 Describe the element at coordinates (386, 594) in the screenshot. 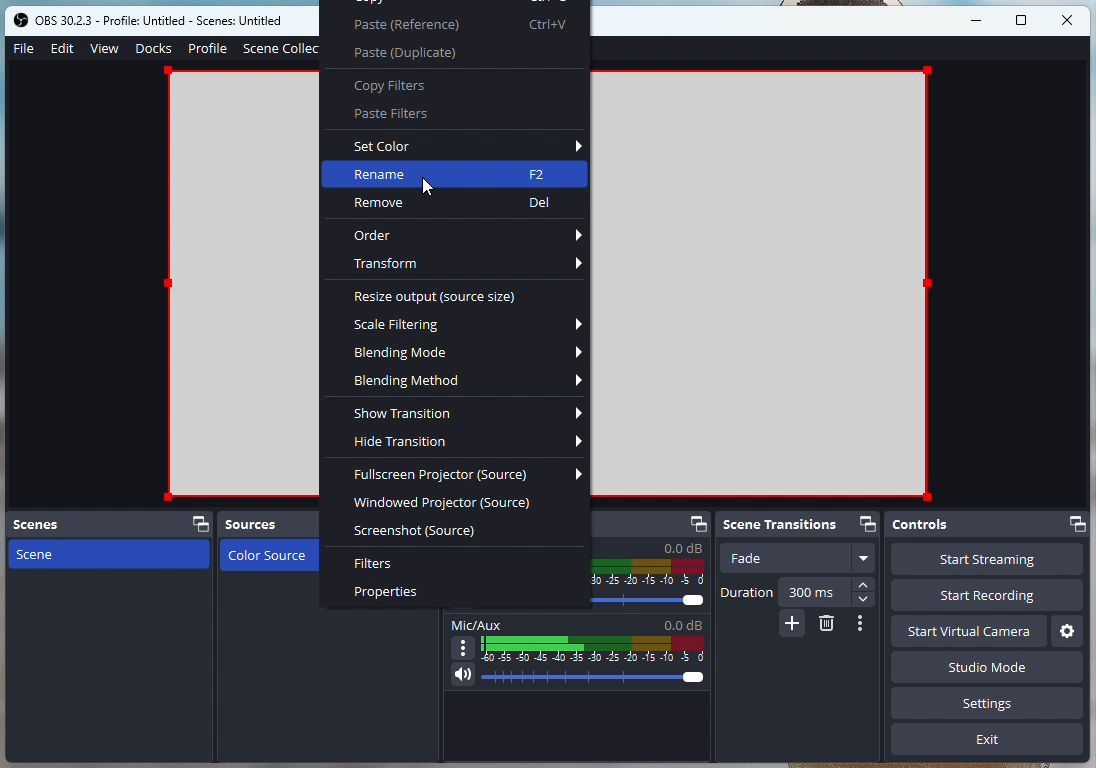

I see `Properties` at that location.